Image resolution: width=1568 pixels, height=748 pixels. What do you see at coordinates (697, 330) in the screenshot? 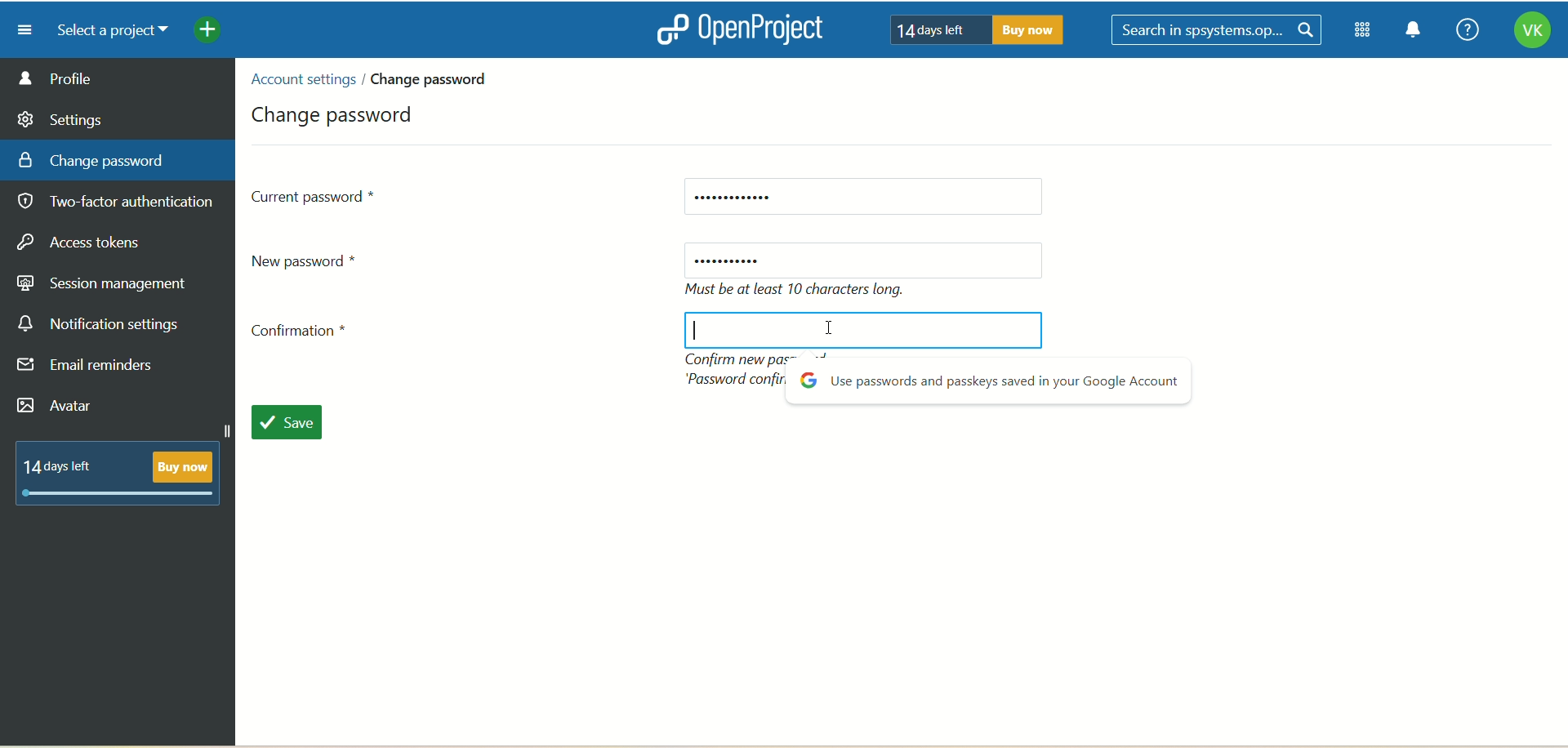
I see `cursor` at bounding box center [697, 330].